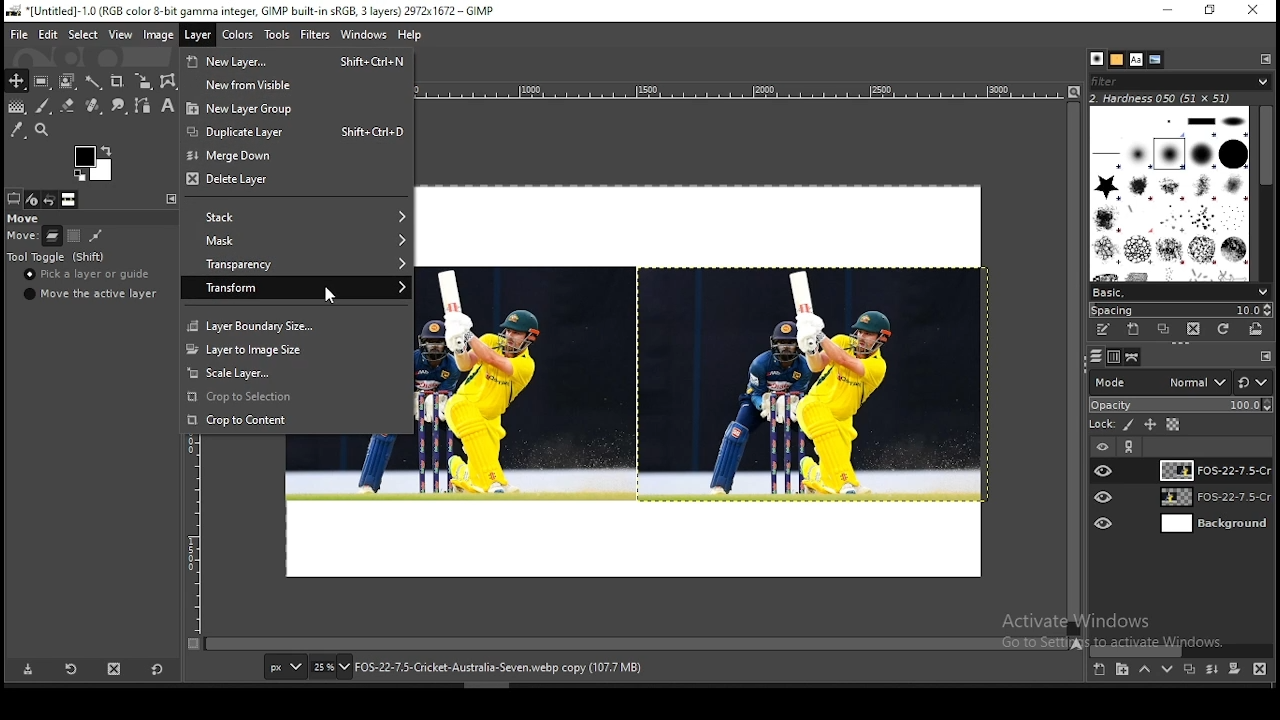 The image size is (1280, 720). What do you see at coordinates (1151, 426) in the screenshot?
I see `lock size and position` at bounding box center [1151, 426].